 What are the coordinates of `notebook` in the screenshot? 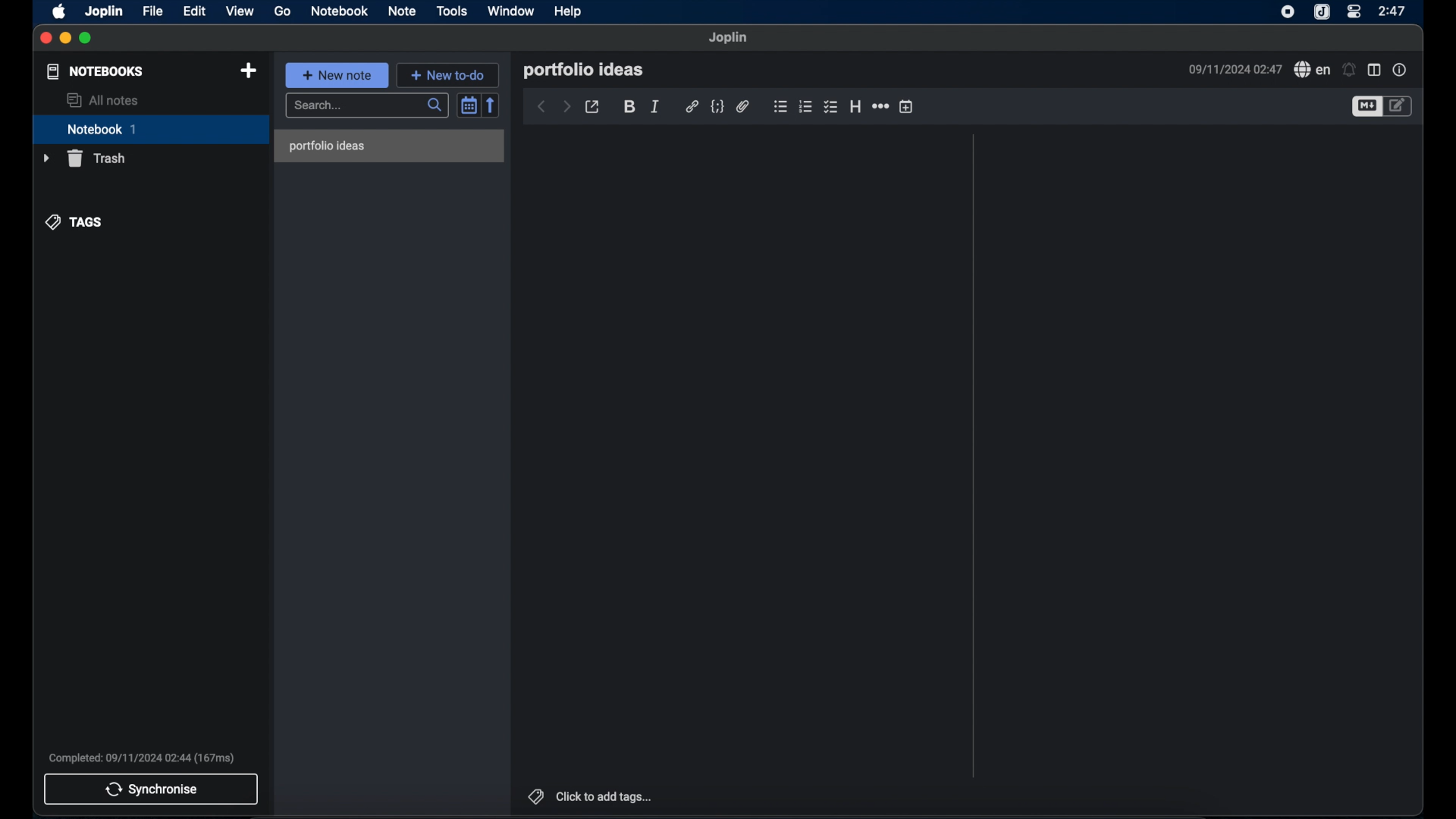 It's located at (339, 11).